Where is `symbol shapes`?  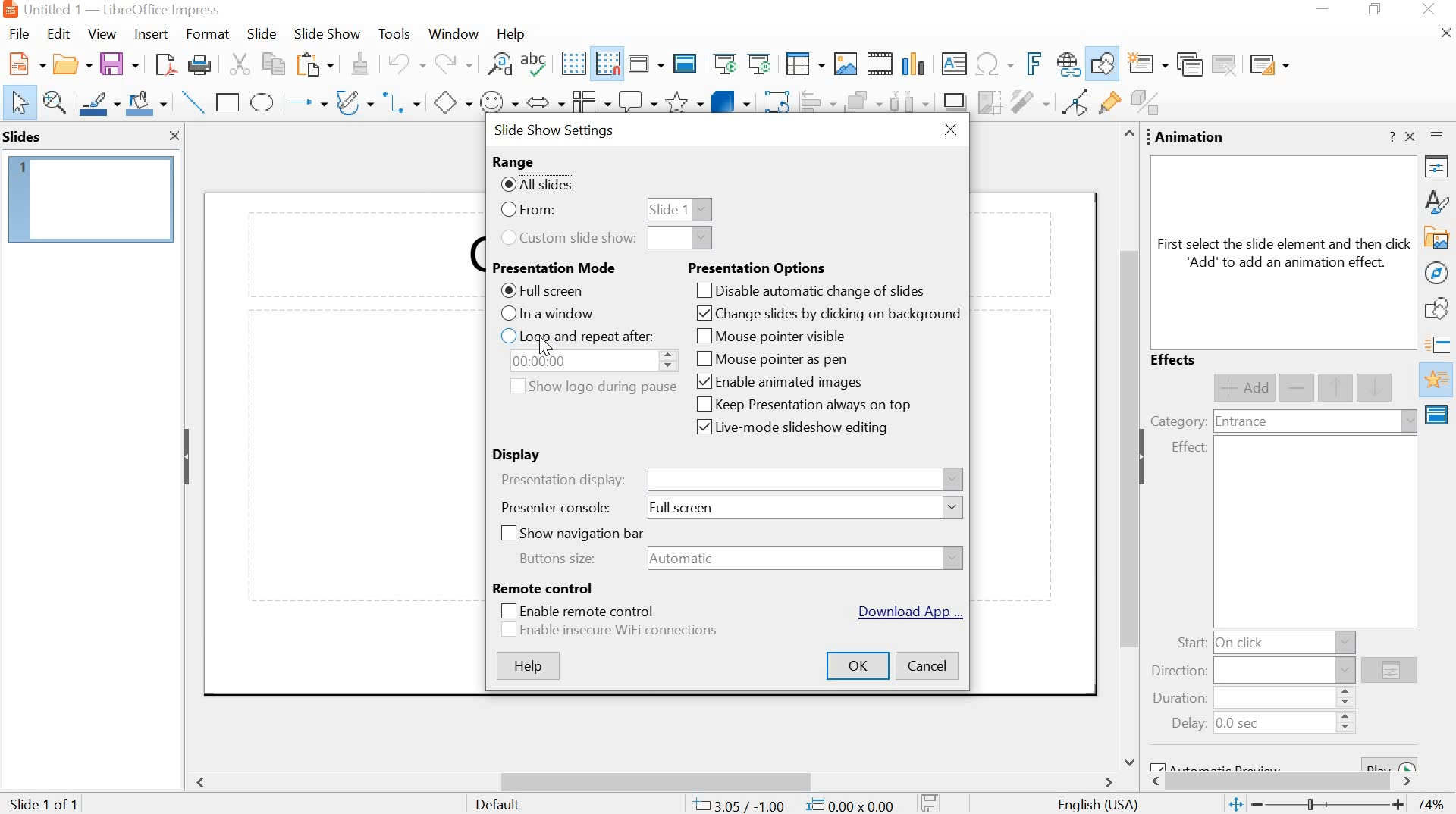 symbol shapes is located at coordinates (498, 104).